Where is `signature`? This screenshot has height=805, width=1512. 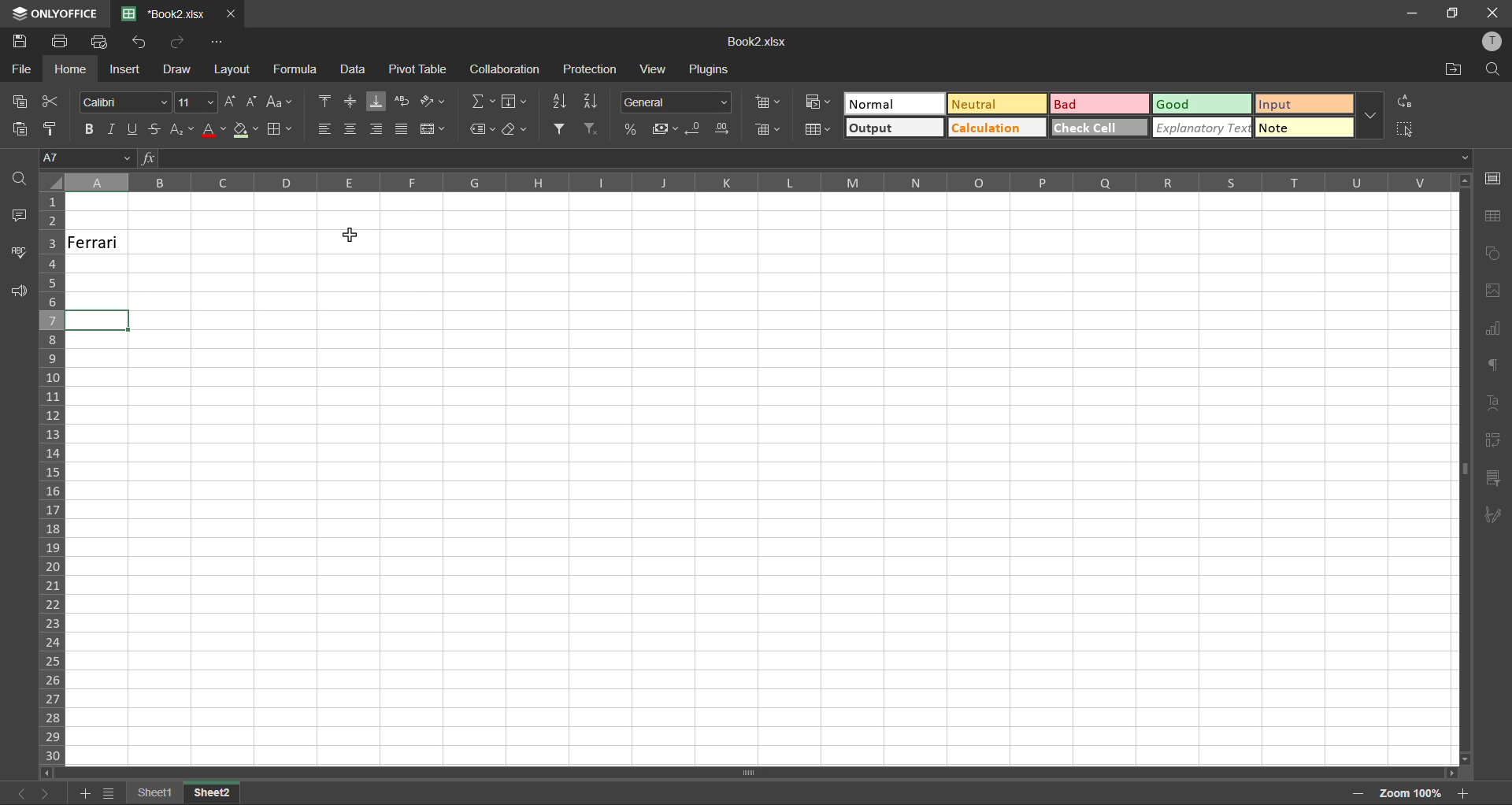 signature is located at coordinates (1493, 513).